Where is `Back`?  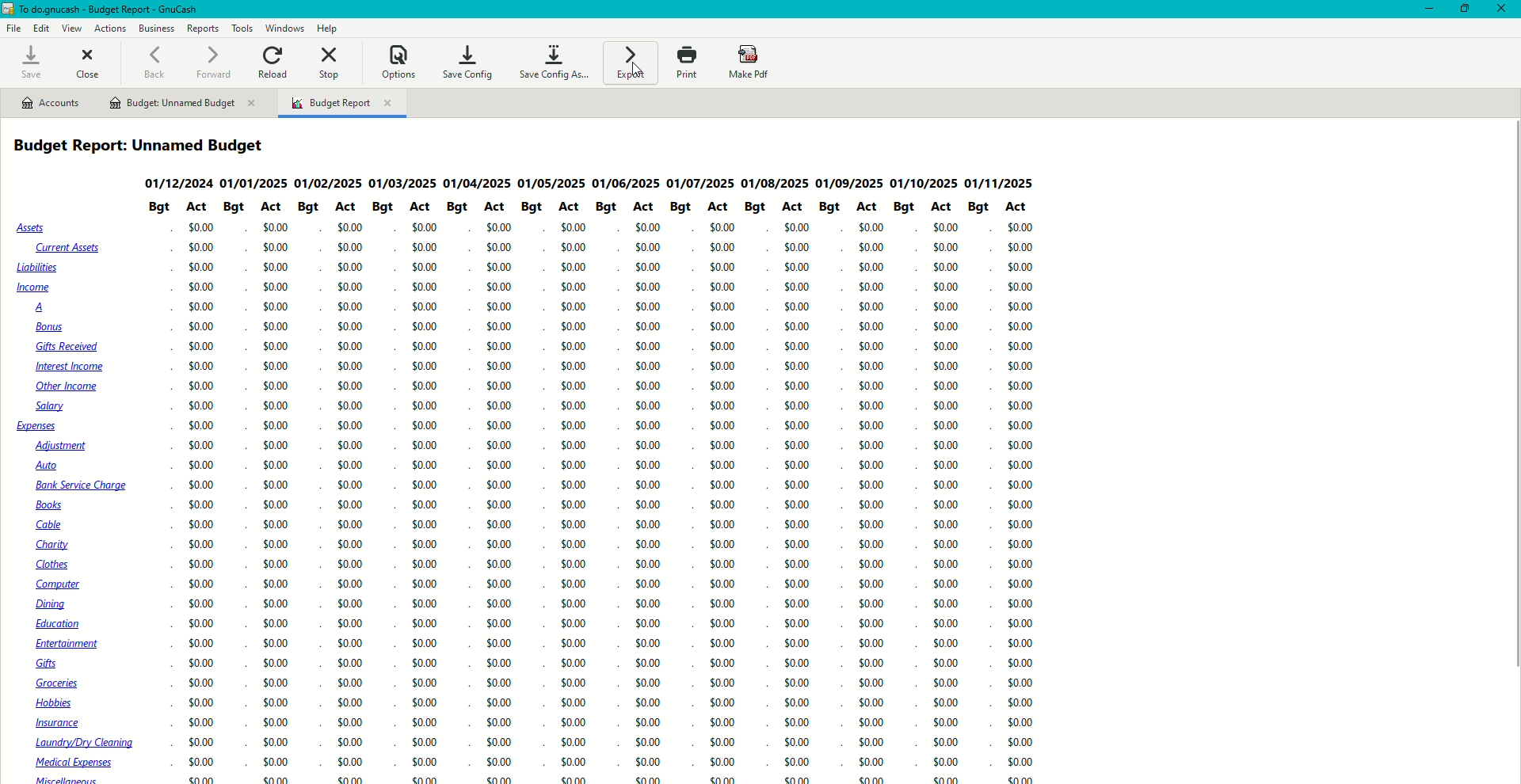 Back is located at coordinates (154, 63).